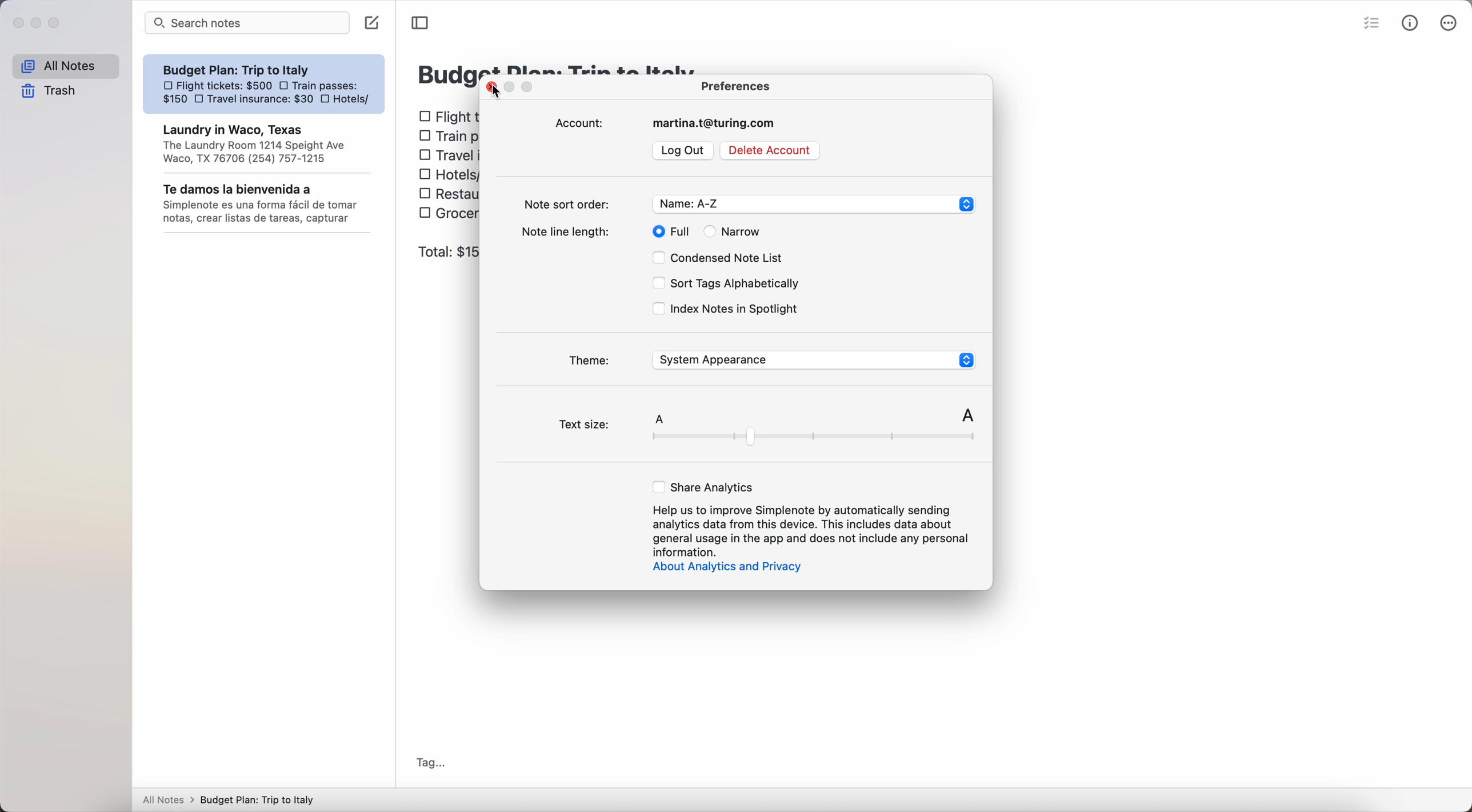 The height and width of the screenshot is (812, 1472). Describe the element at coordinates (737, 85) in the screenshot. I see `preferences` at that location.